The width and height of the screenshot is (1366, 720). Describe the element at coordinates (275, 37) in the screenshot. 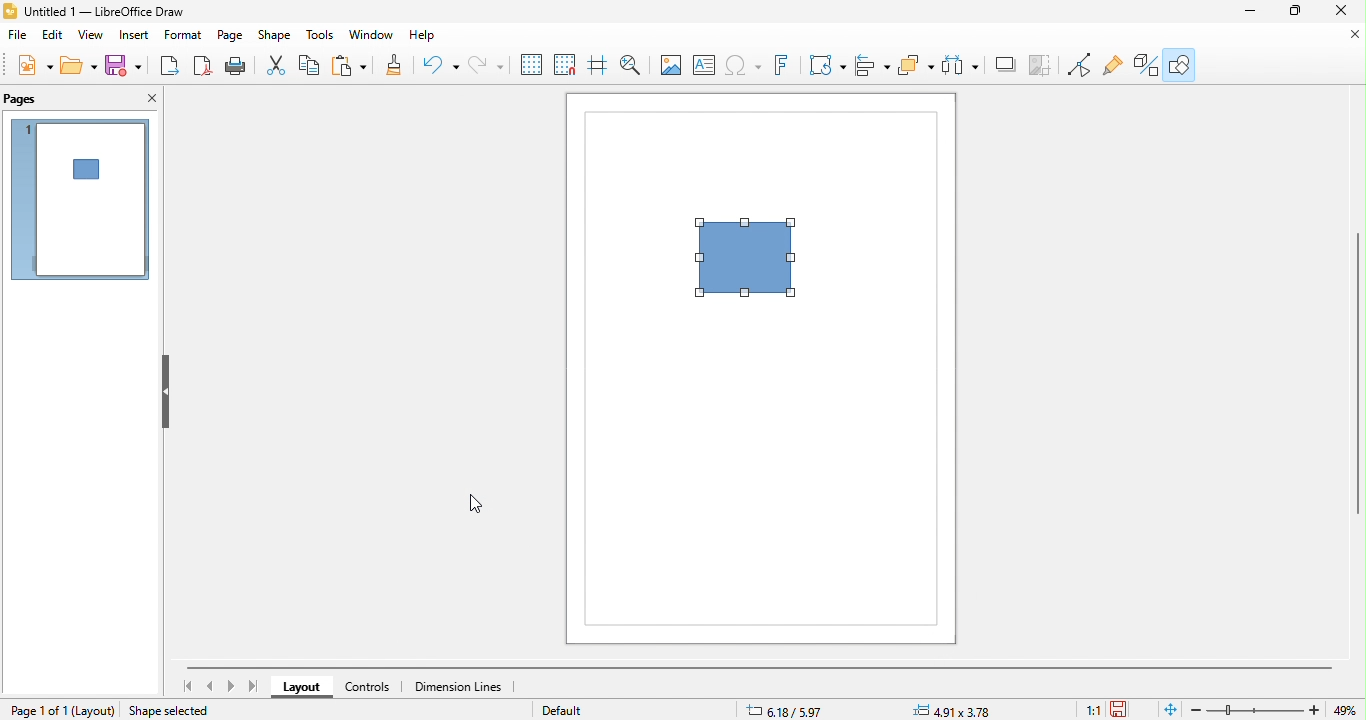

I see `shape` at that location.